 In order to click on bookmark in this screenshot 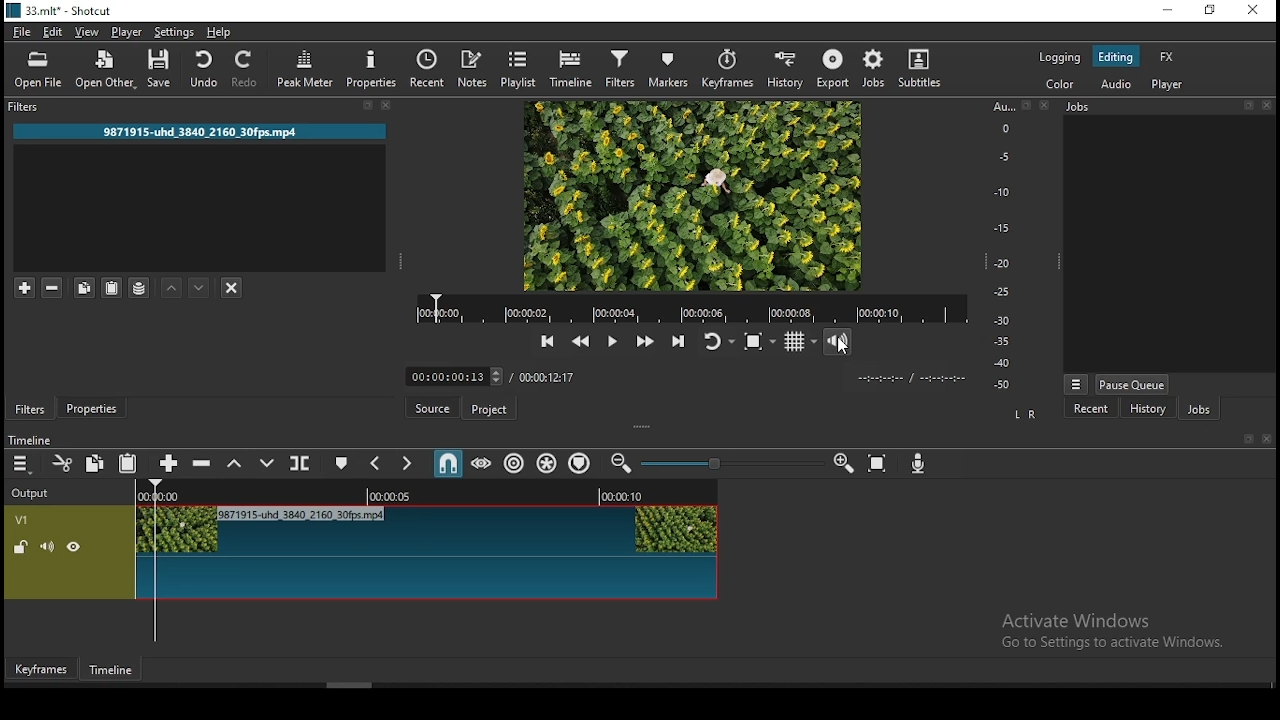, I will do `click(1243, 110)`.